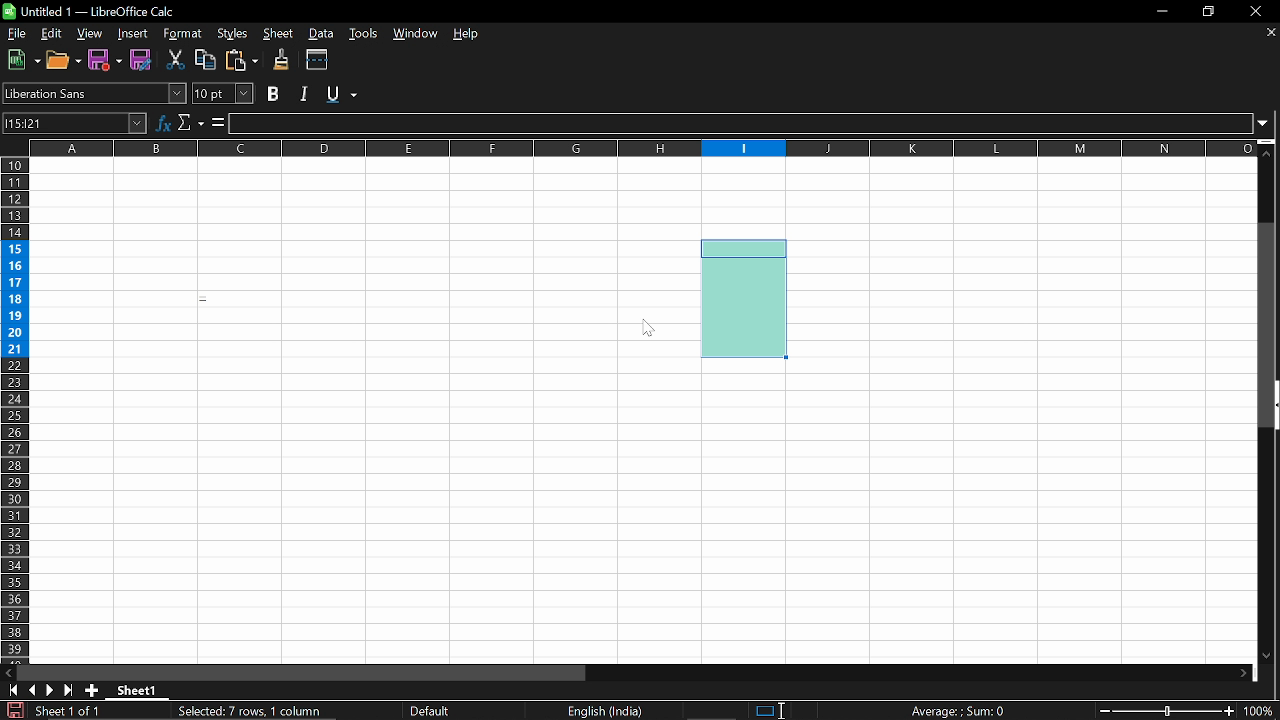  What do you see at coordinates (283, 60) in the screenshot?
I see `Clone` at bounding box center [283, 60].